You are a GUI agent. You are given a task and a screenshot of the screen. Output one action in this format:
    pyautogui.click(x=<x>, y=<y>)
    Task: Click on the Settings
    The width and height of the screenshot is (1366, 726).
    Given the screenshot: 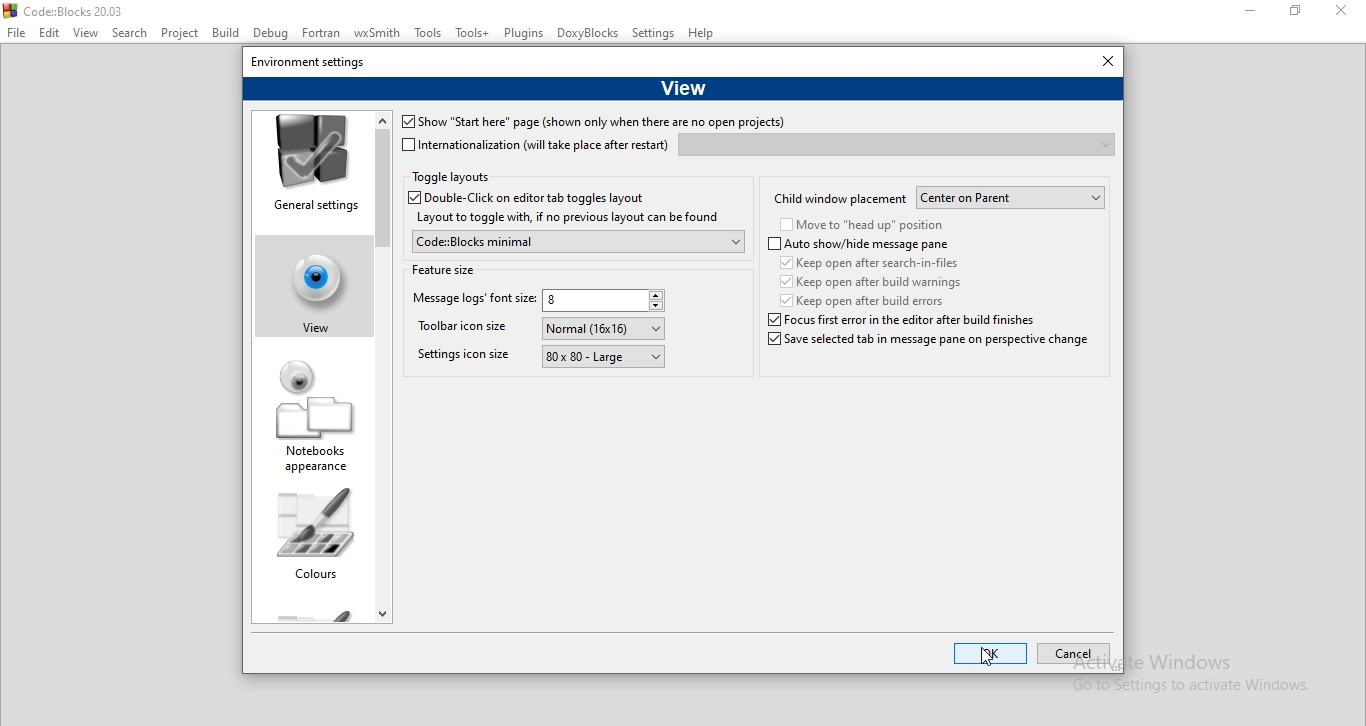 What is the action you would take?
    pyautogui.click(x=654, y=34)
    